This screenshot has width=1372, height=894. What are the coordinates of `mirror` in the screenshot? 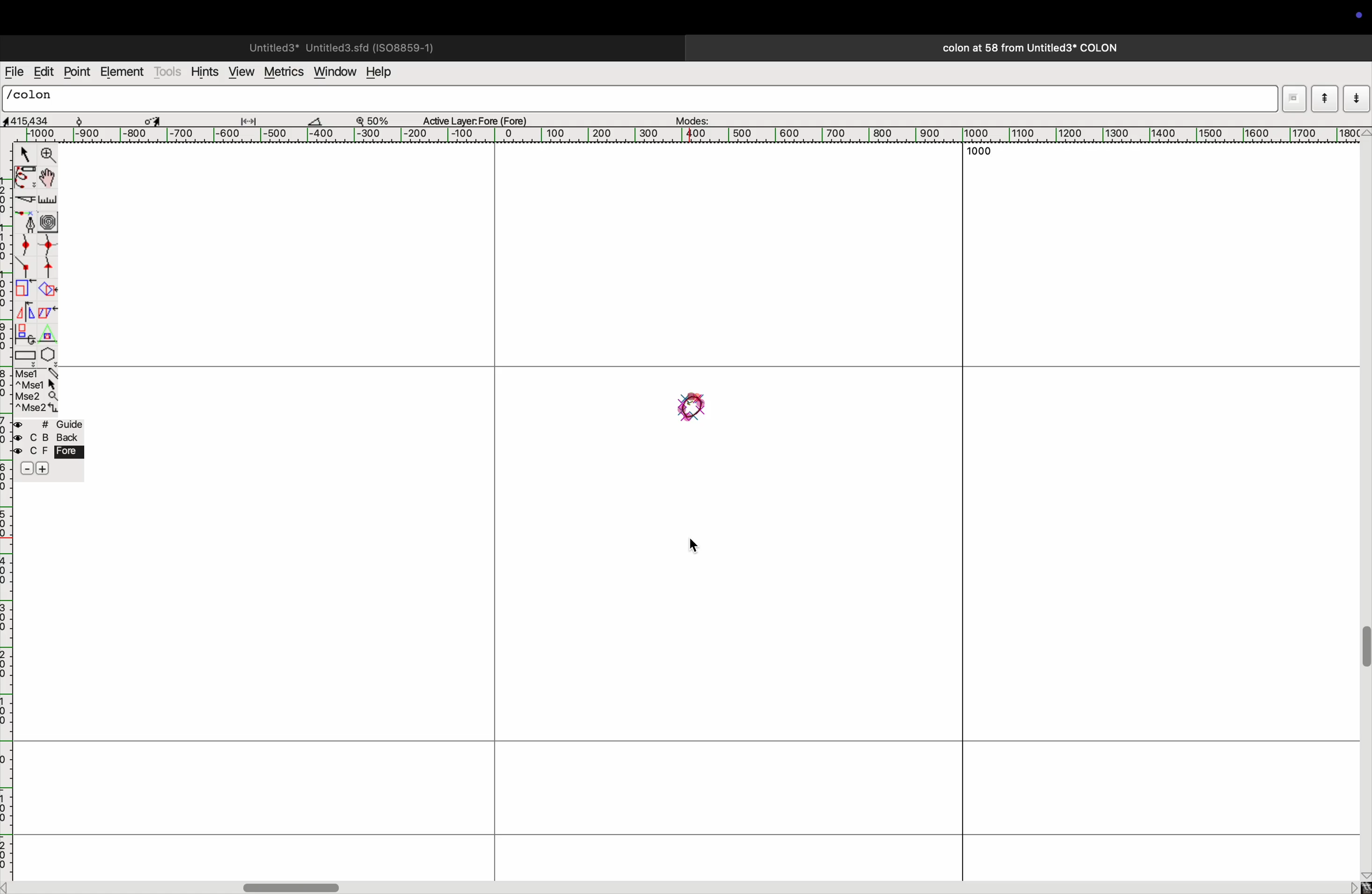 It's located at (28, 311).